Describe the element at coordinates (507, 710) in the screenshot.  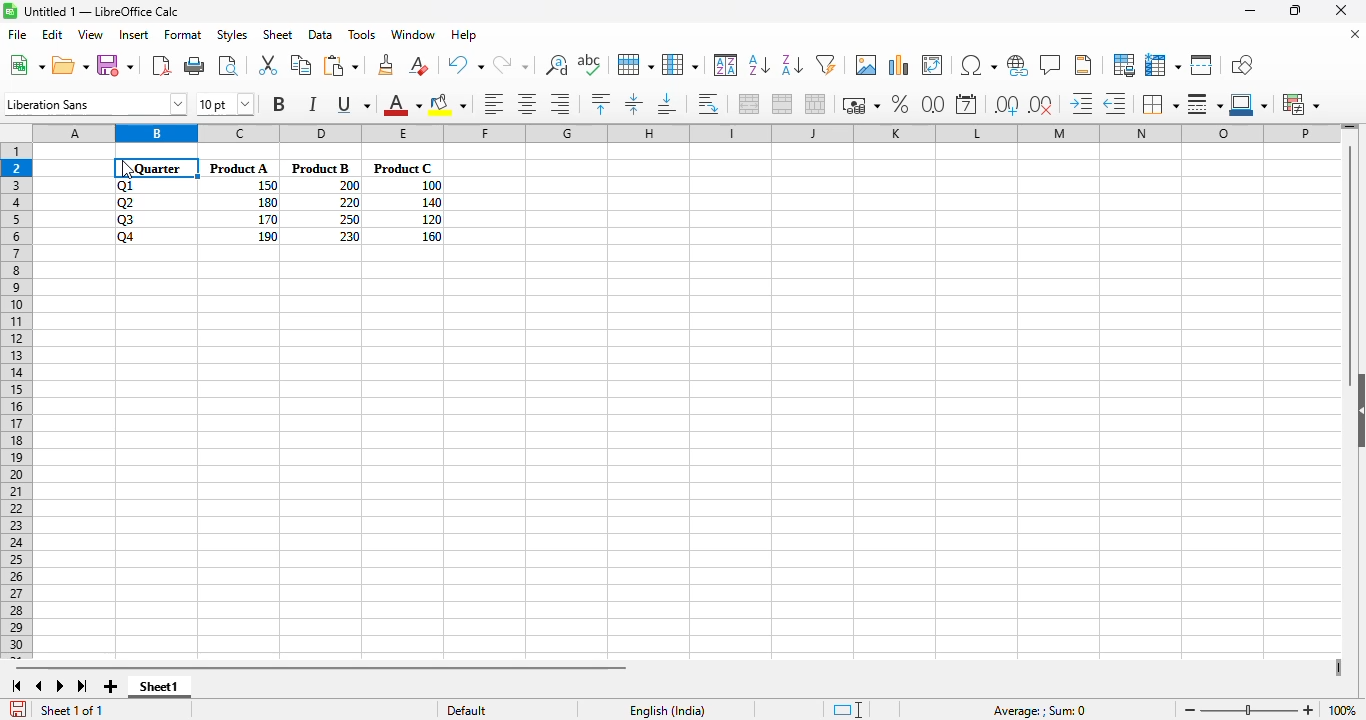
I see `Default` at that location.